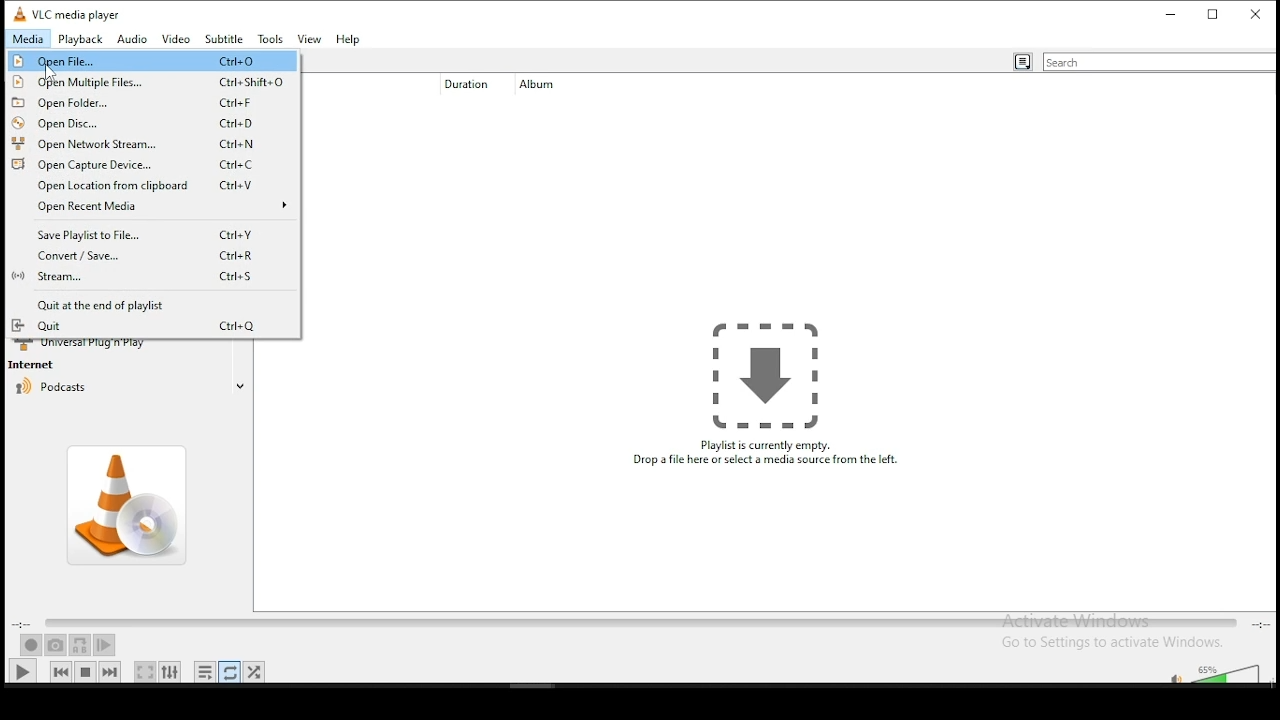 The height and width of the screenshot is (720, 1280). Describe the element at coordinates (461, 86) in the screenshot. I see `duration` at that location.